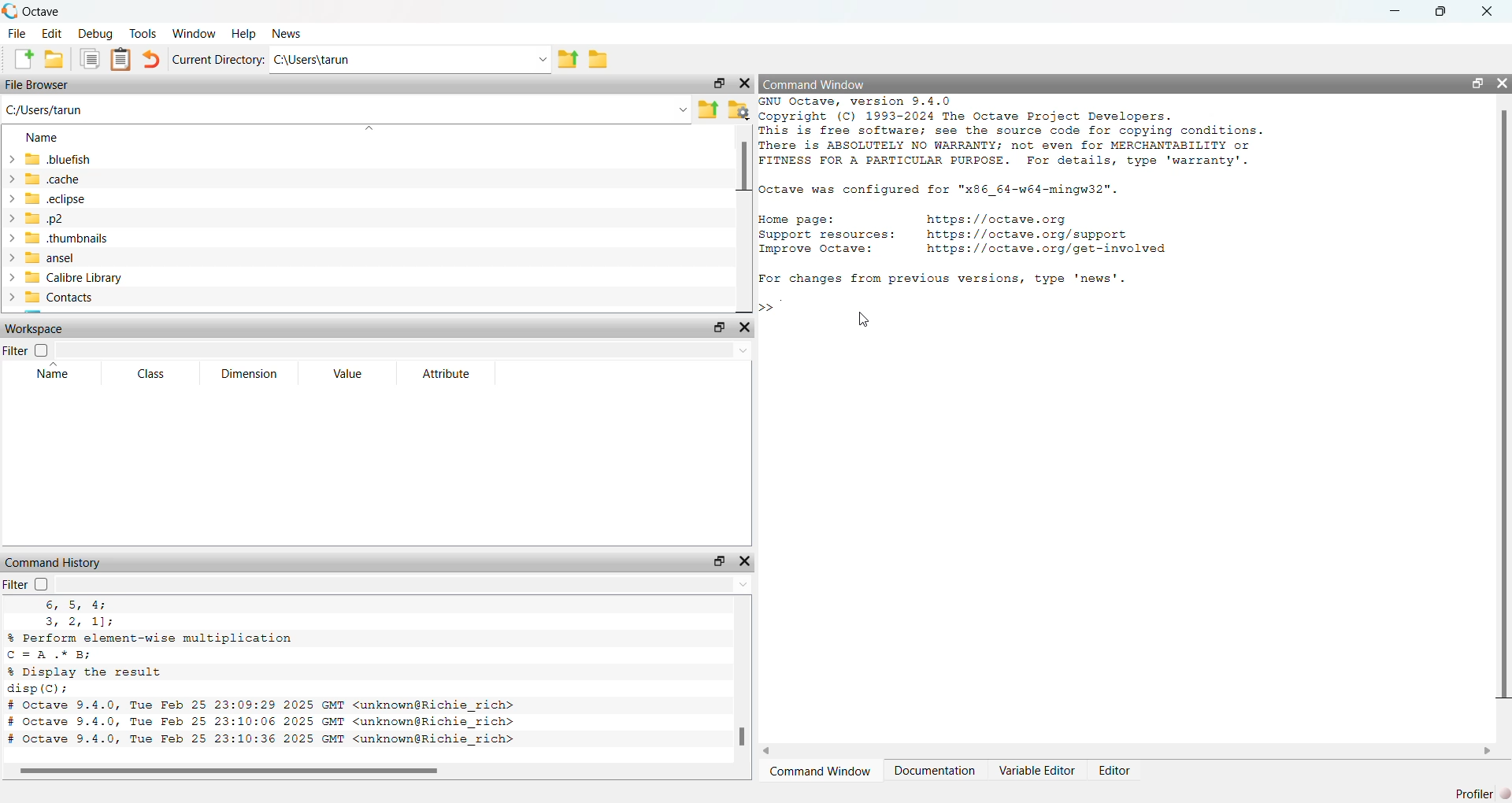 Image resolution: width=1512 pixels, height=803 pixels. What do you see at coordinates (567, 60) in the screenshot?
I see `Parent Directory` at bounding box center [567, 60].